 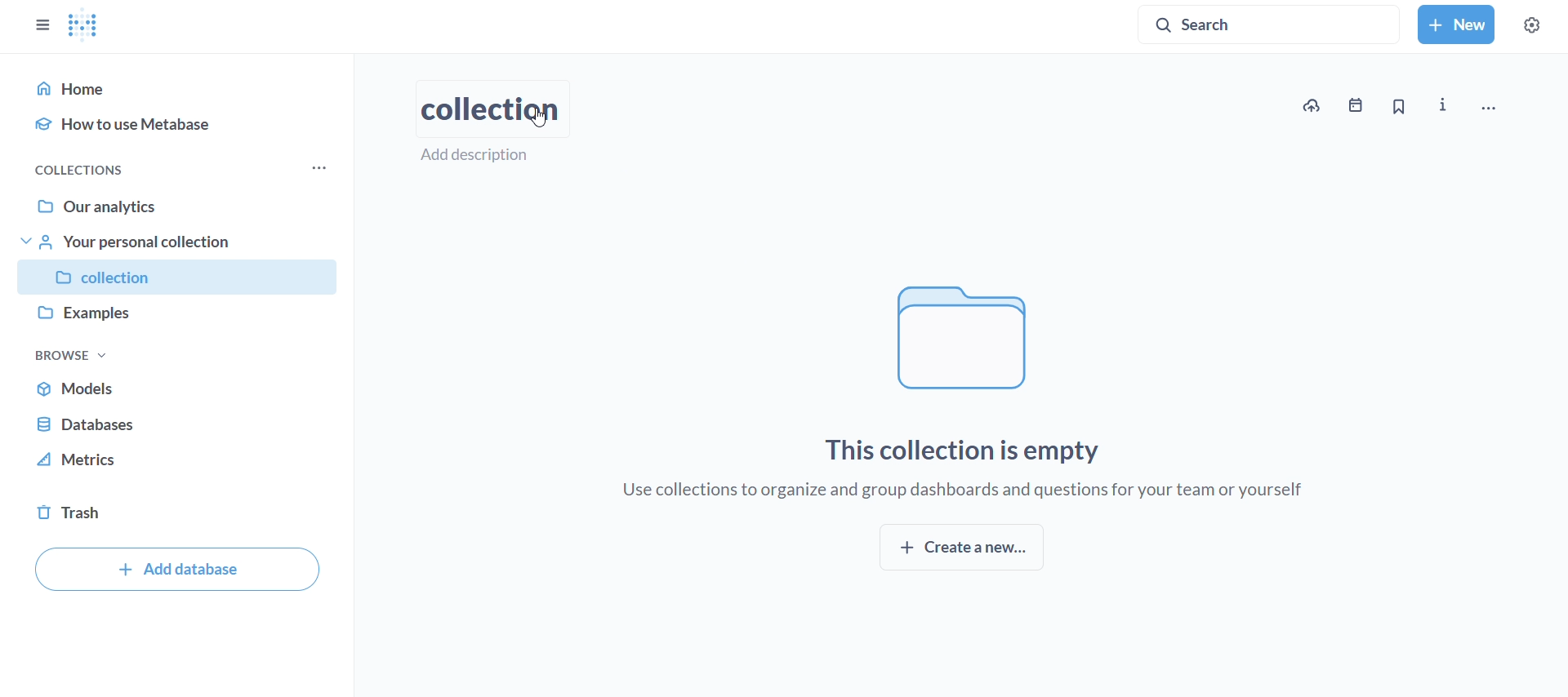 What do you see at coordinates (36, 21) in the screenshot?
I see `close sidebar` at bounding box center [36, 21].